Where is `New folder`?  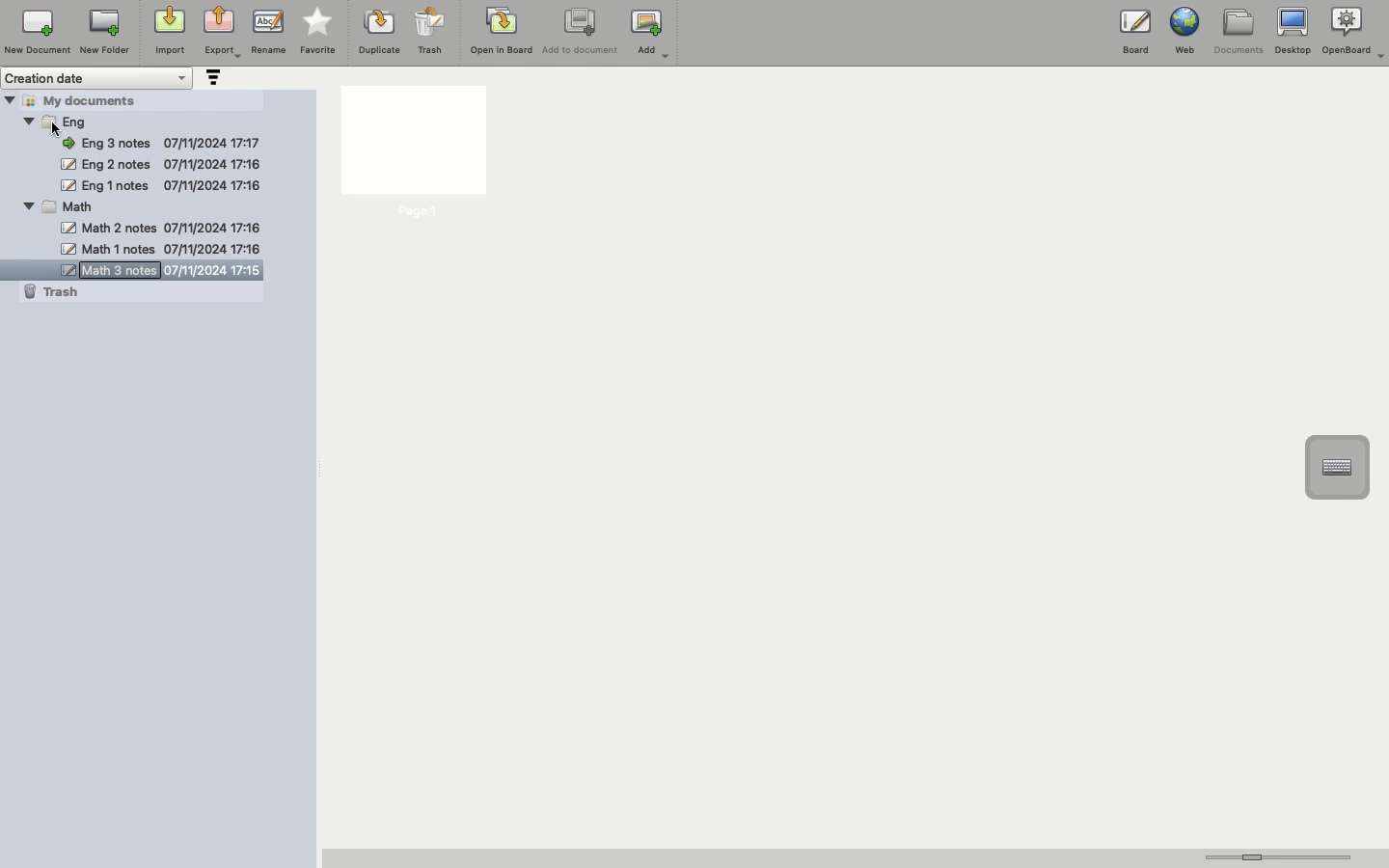
New folder is located at coordinates (103, 33).